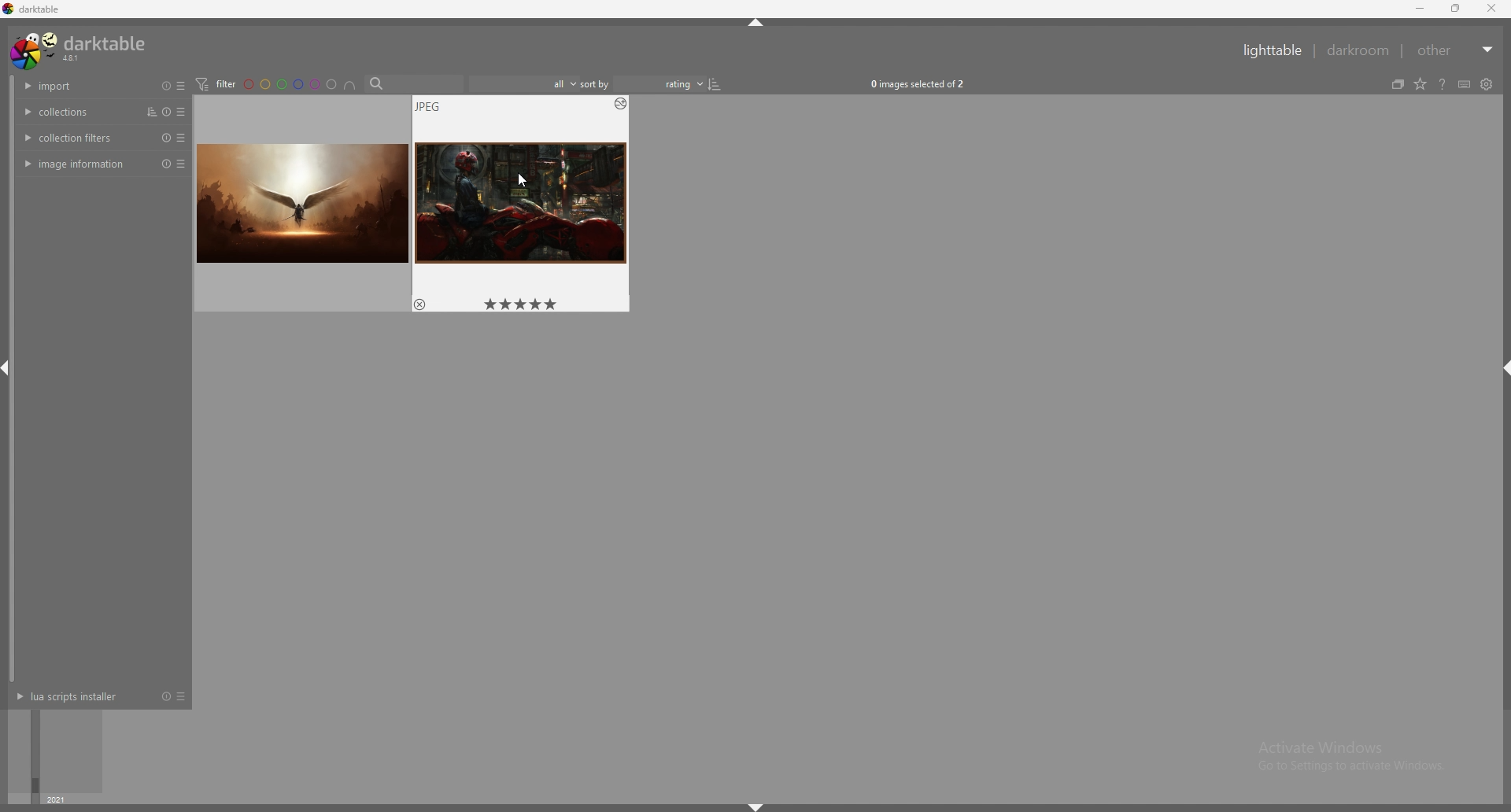  What do you see at coordinates (181, 166) in the screenshot?
I see `presets` at bounding box center [181, 166].